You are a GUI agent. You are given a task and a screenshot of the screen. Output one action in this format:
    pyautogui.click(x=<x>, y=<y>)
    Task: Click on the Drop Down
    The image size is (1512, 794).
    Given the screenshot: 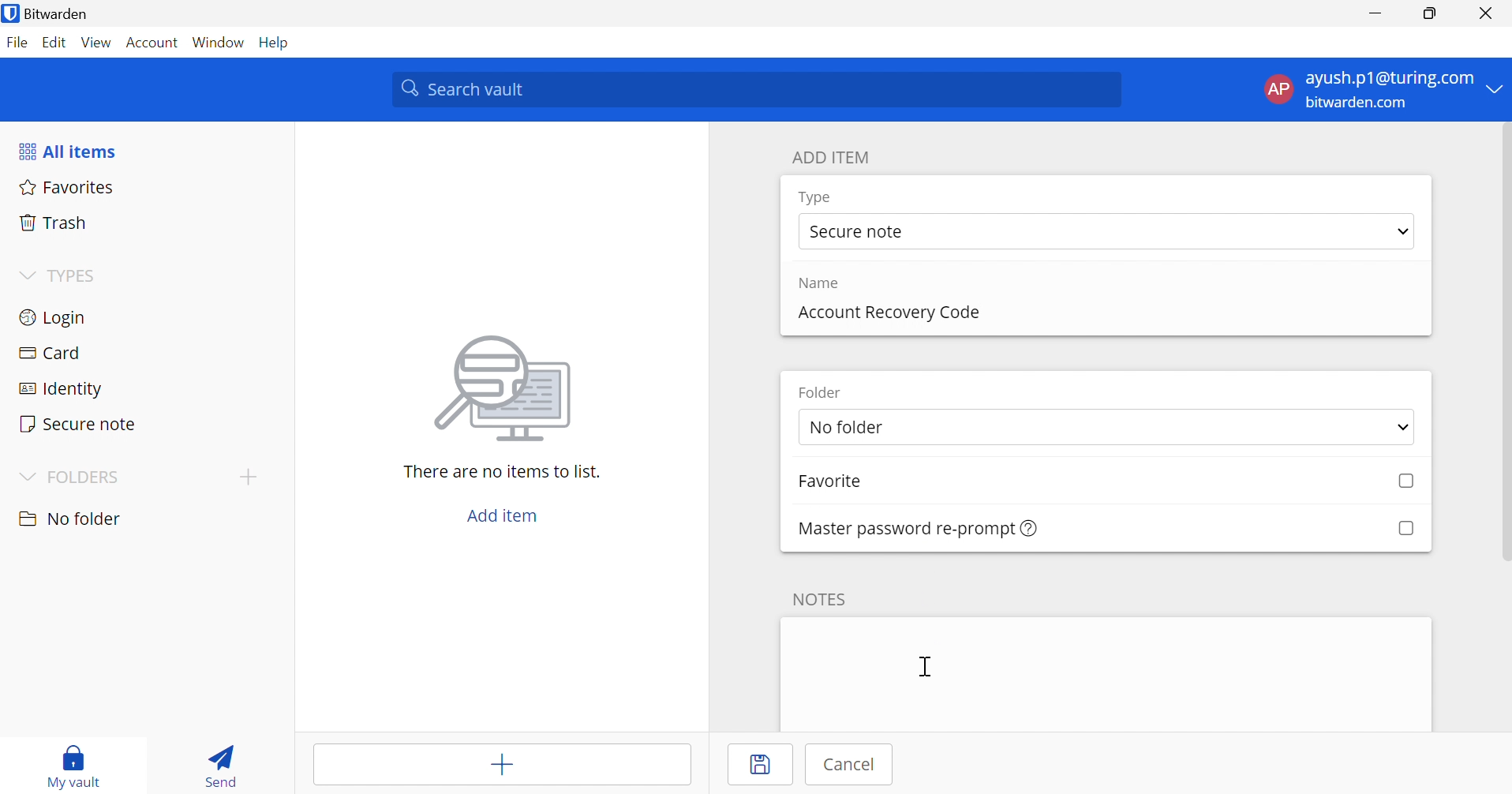 What is the action you would take?
    pyautogui.click(x=1496, y=90)
    